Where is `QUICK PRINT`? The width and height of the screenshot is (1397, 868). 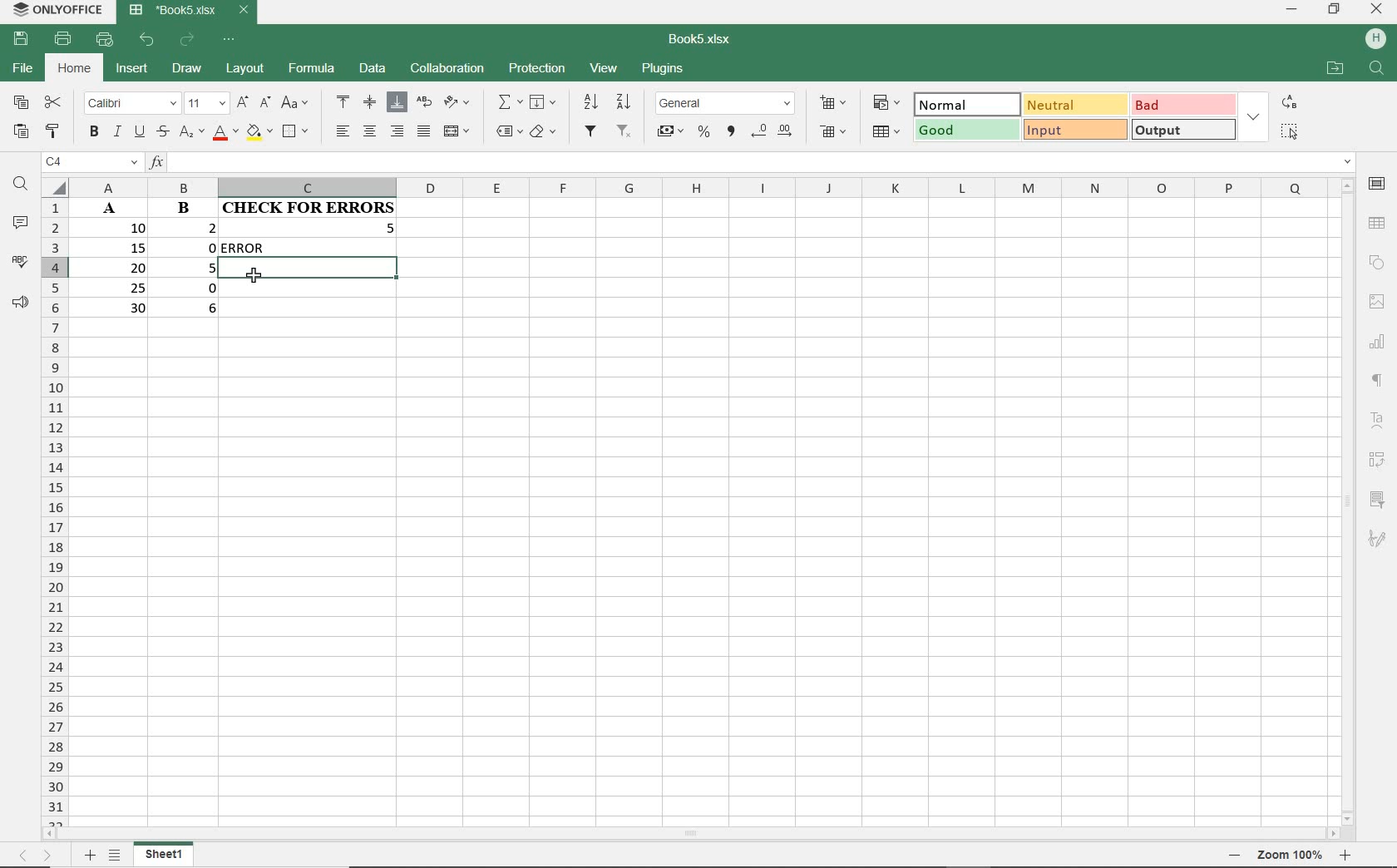 QUICK PRINT is located at coordinates (104, 40).